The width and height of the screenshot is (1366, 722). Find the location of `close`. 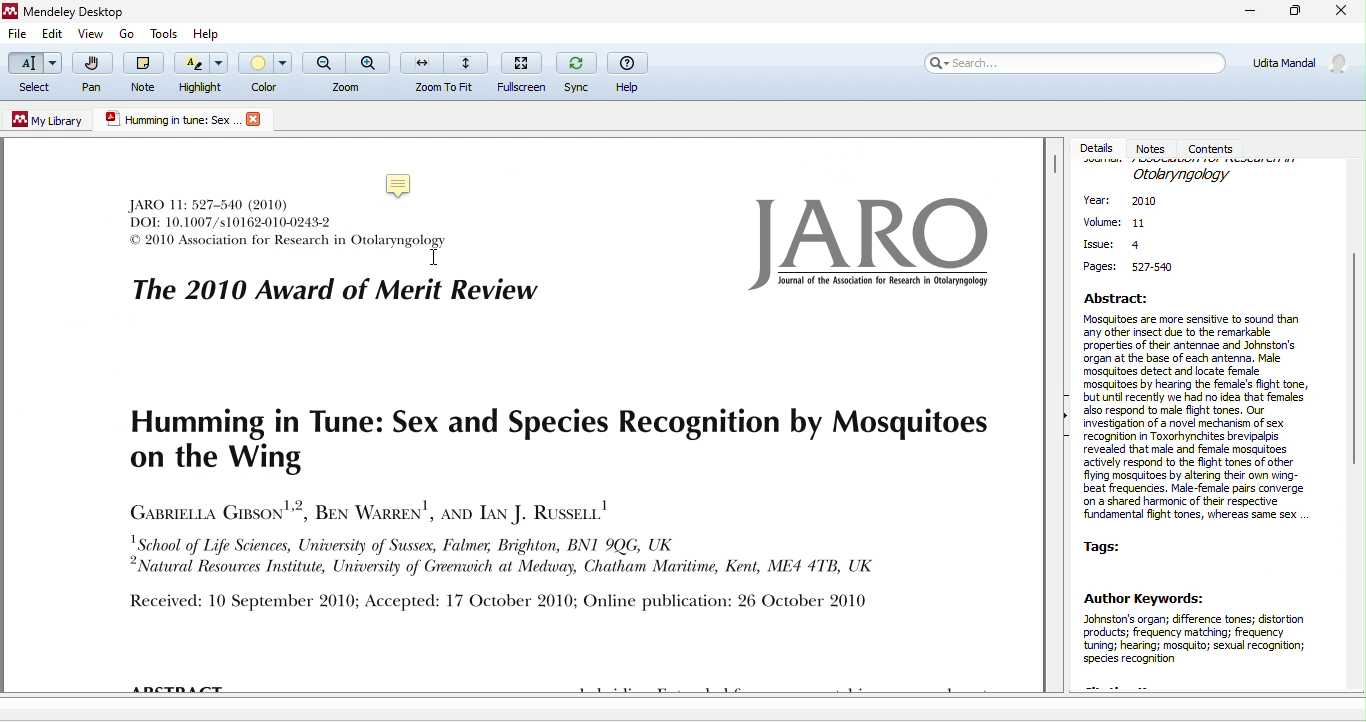

close is located at coordinates (1342, 12).